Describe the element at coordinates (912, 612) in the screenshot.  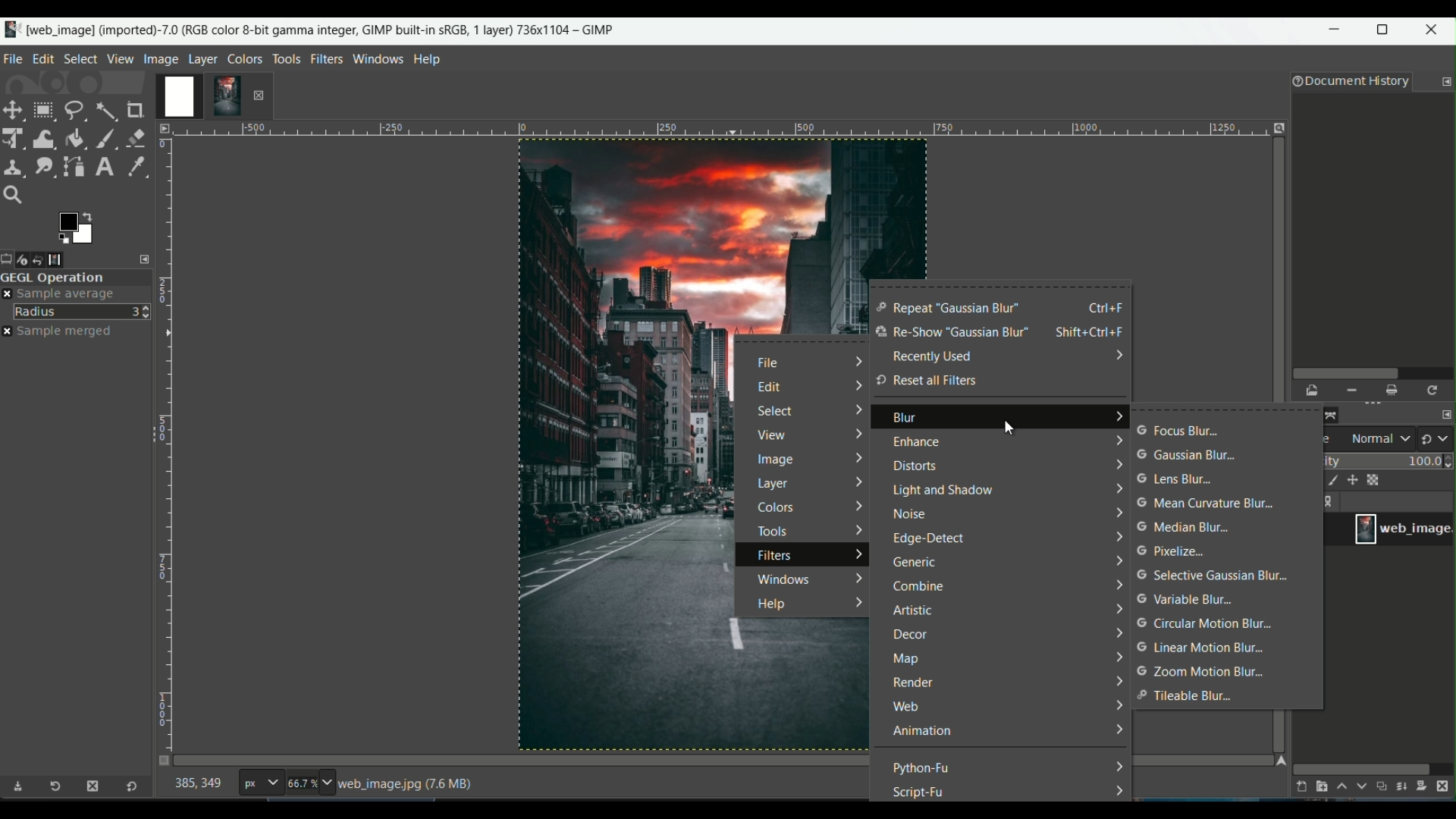
I see `artistic` at that location.